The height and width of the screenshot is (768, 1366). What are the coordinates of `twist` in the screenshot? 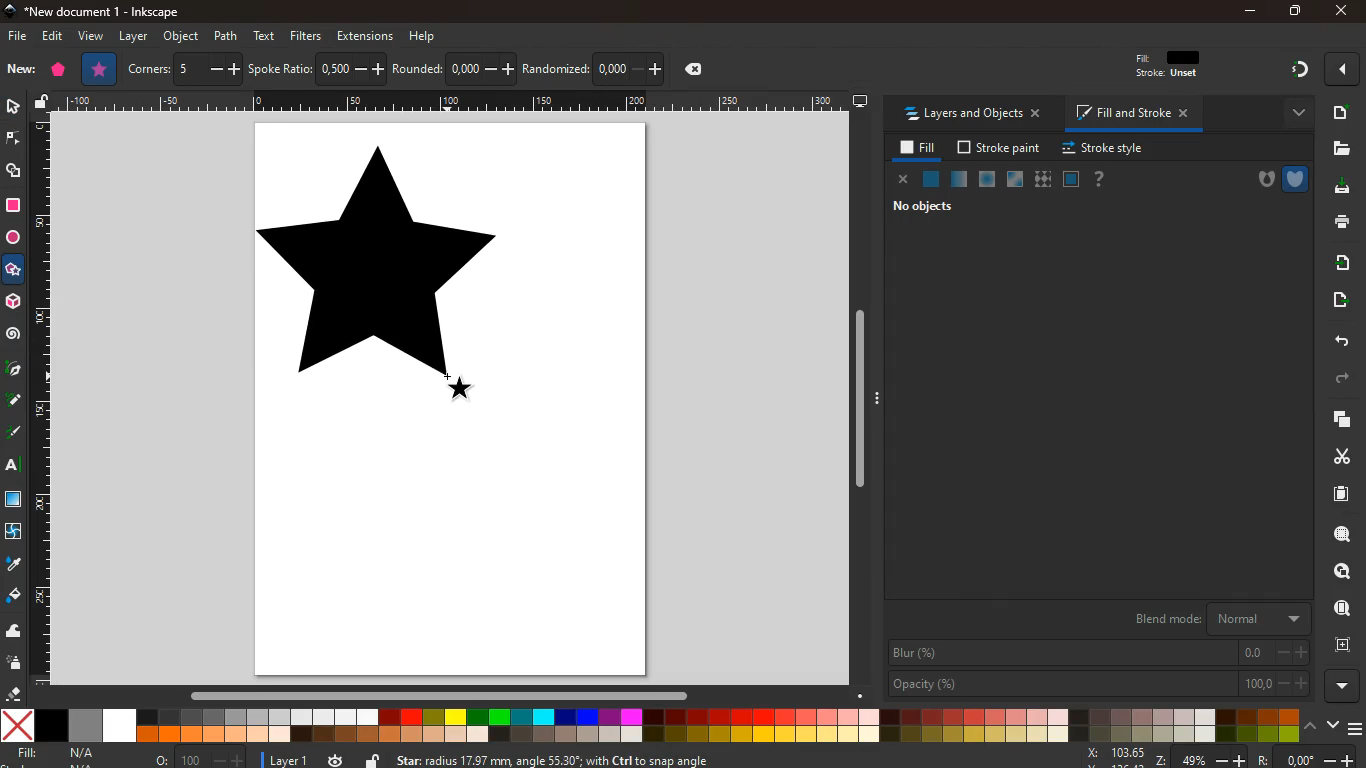 It's located at (15, 533).